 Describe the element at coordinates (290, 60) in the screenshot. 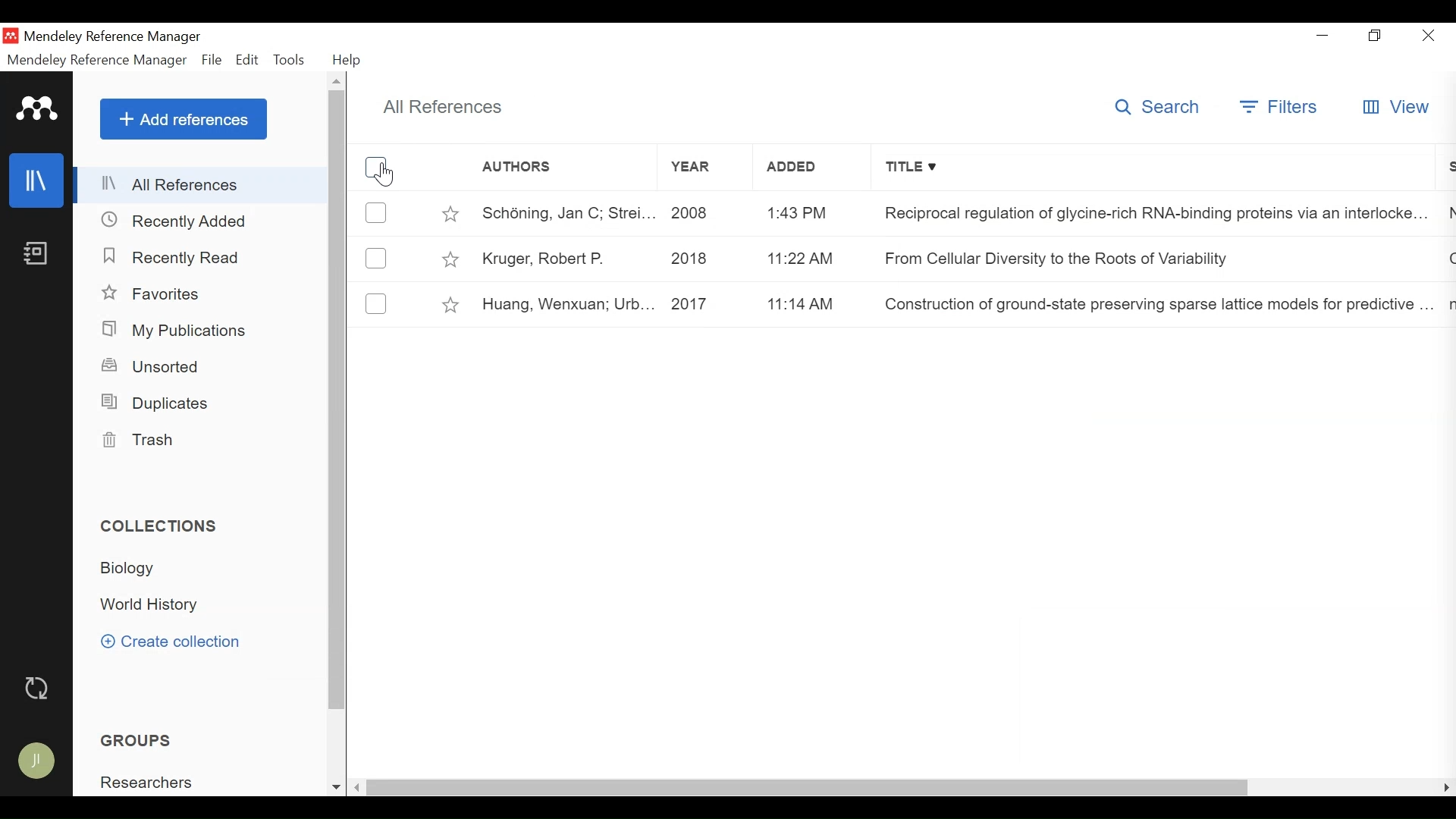

I see `Tools` at that location.